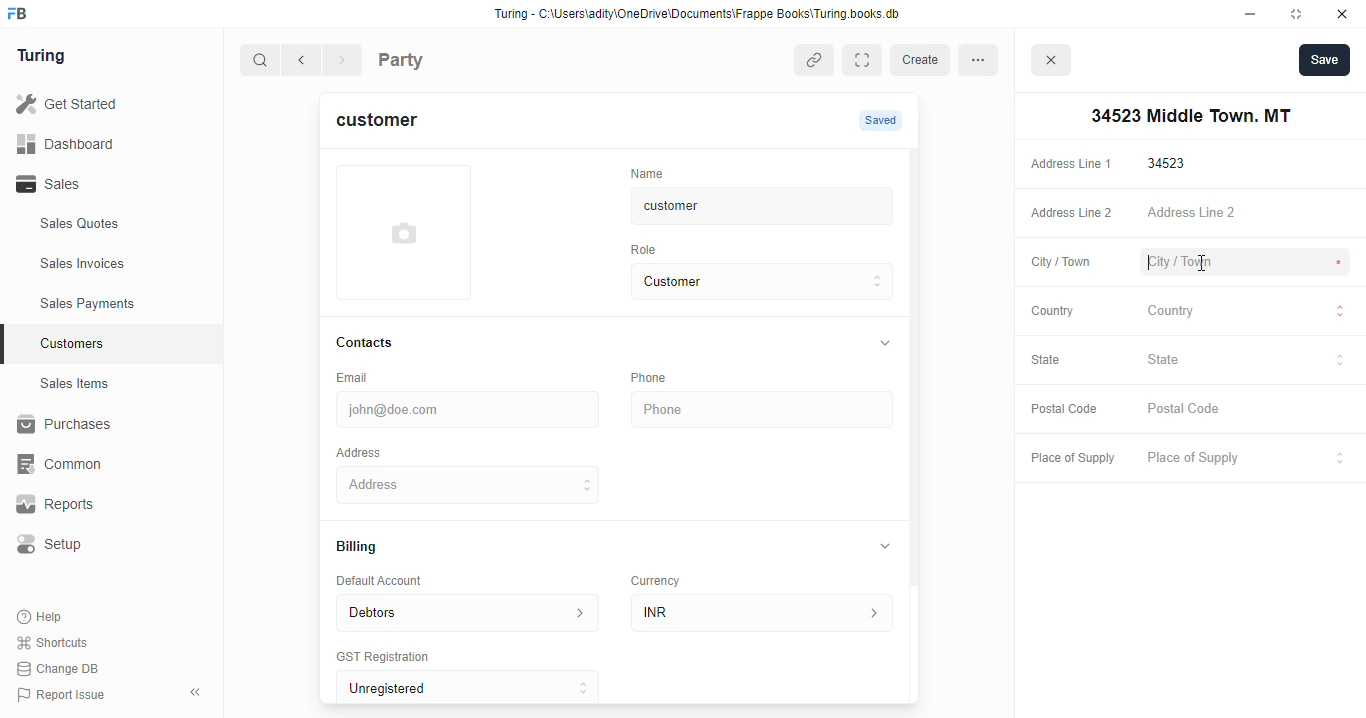  Describe the element at coordinates (1068, 459) in the screenshot. I see `Place of Supply` at that location.